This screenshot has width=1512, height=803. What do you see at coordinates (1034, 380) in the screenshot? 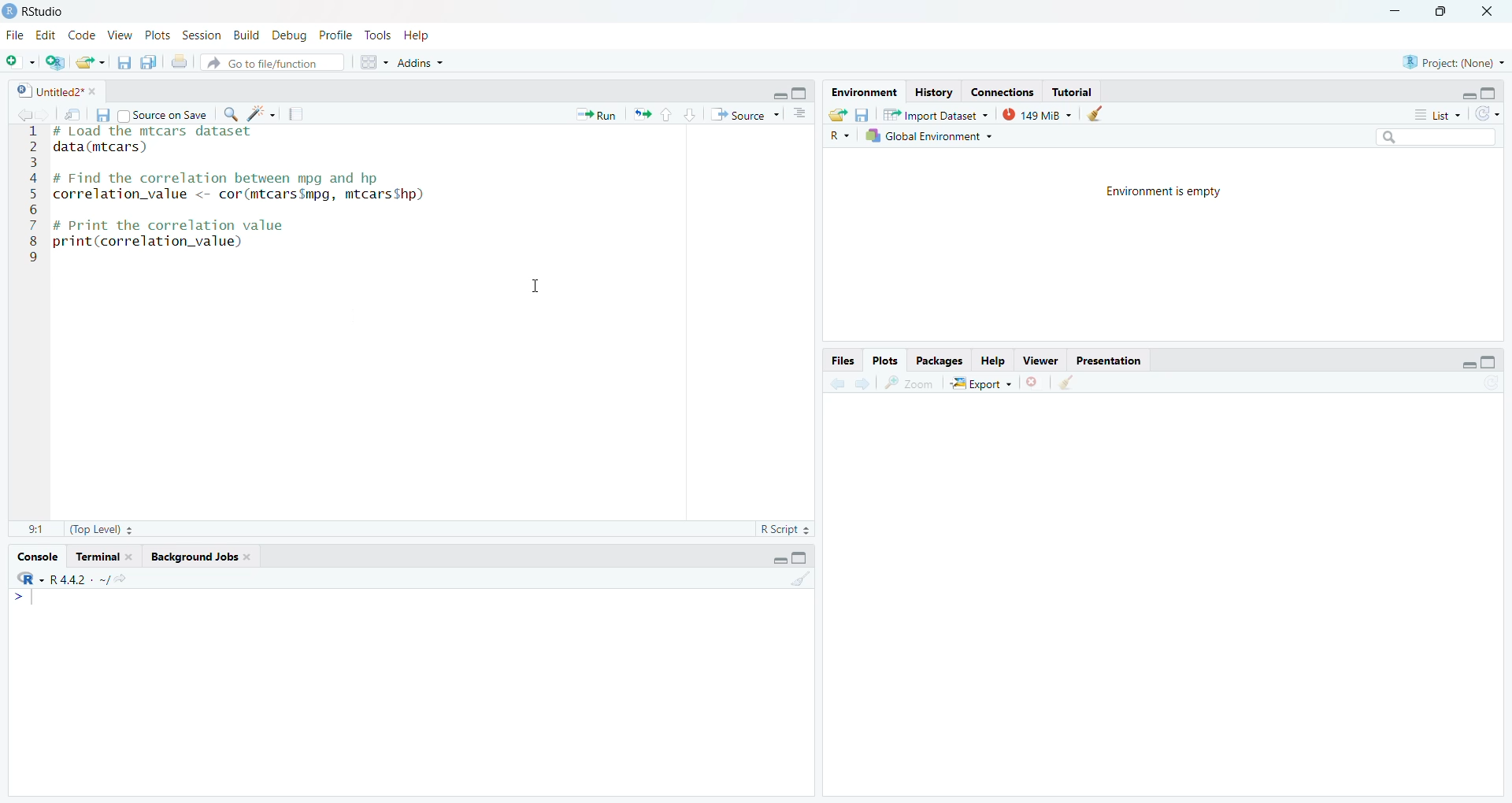
I see `Close` at bounding box center [1034, 380].